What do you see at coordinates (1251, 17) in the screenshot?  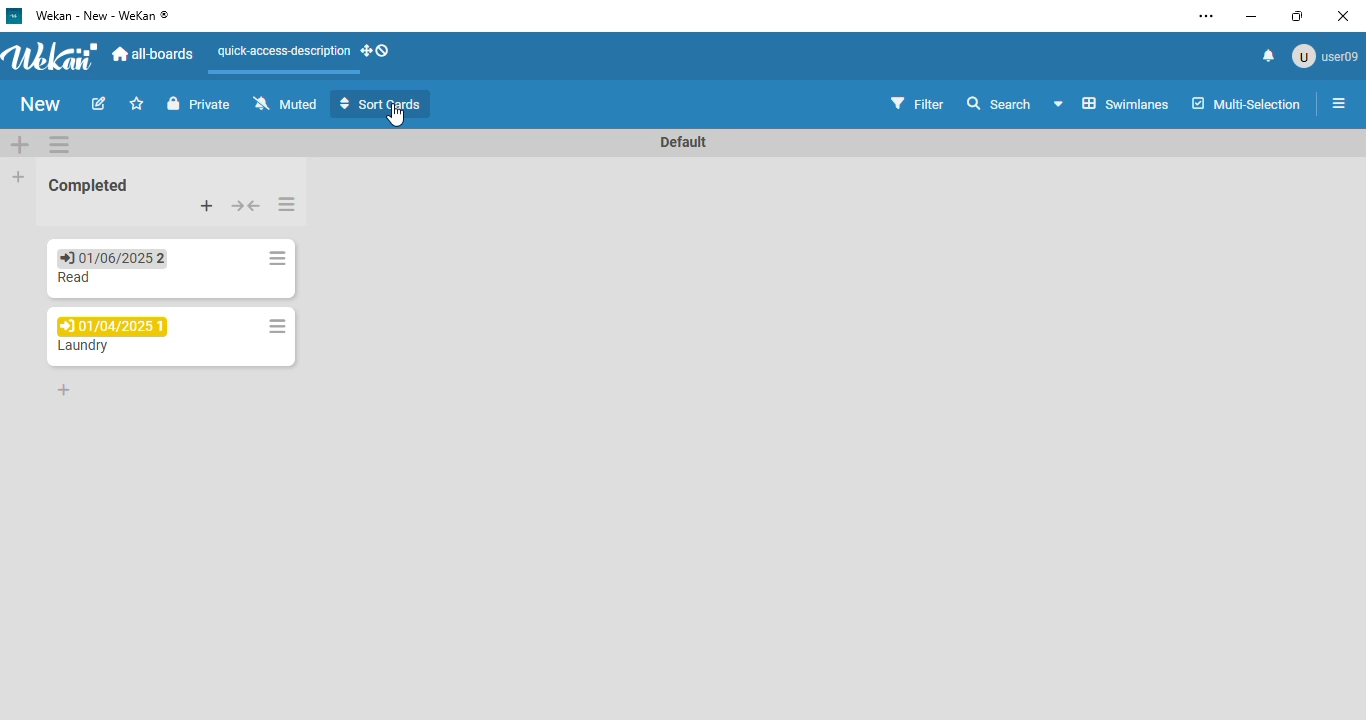 I see `minimize` at bounding box center [1251, 17].